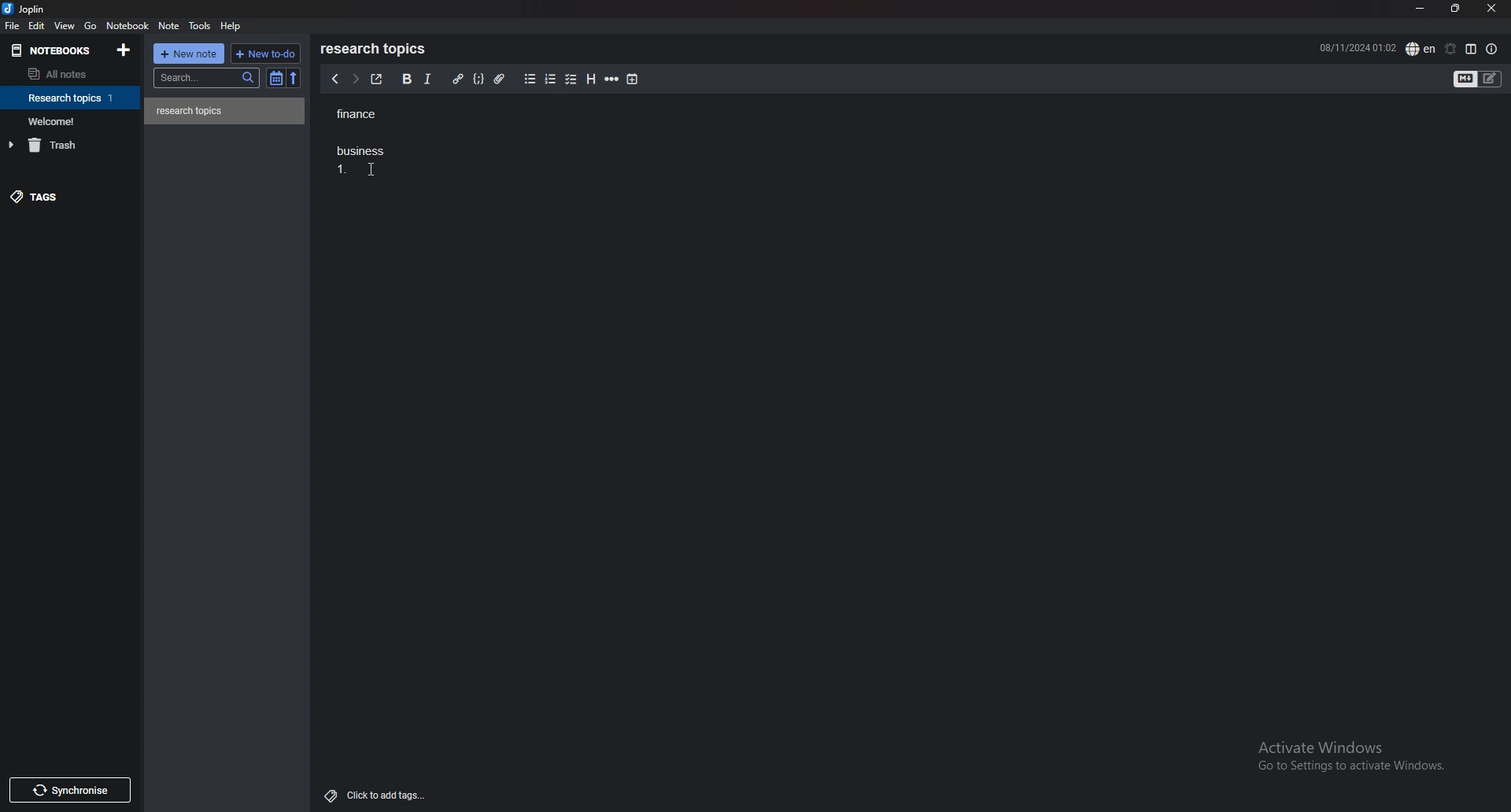 The width and height of the screenshot is (1511, 812). Describe the element at coordinates (225, 111) in the screenshot. I see `note` at that location.